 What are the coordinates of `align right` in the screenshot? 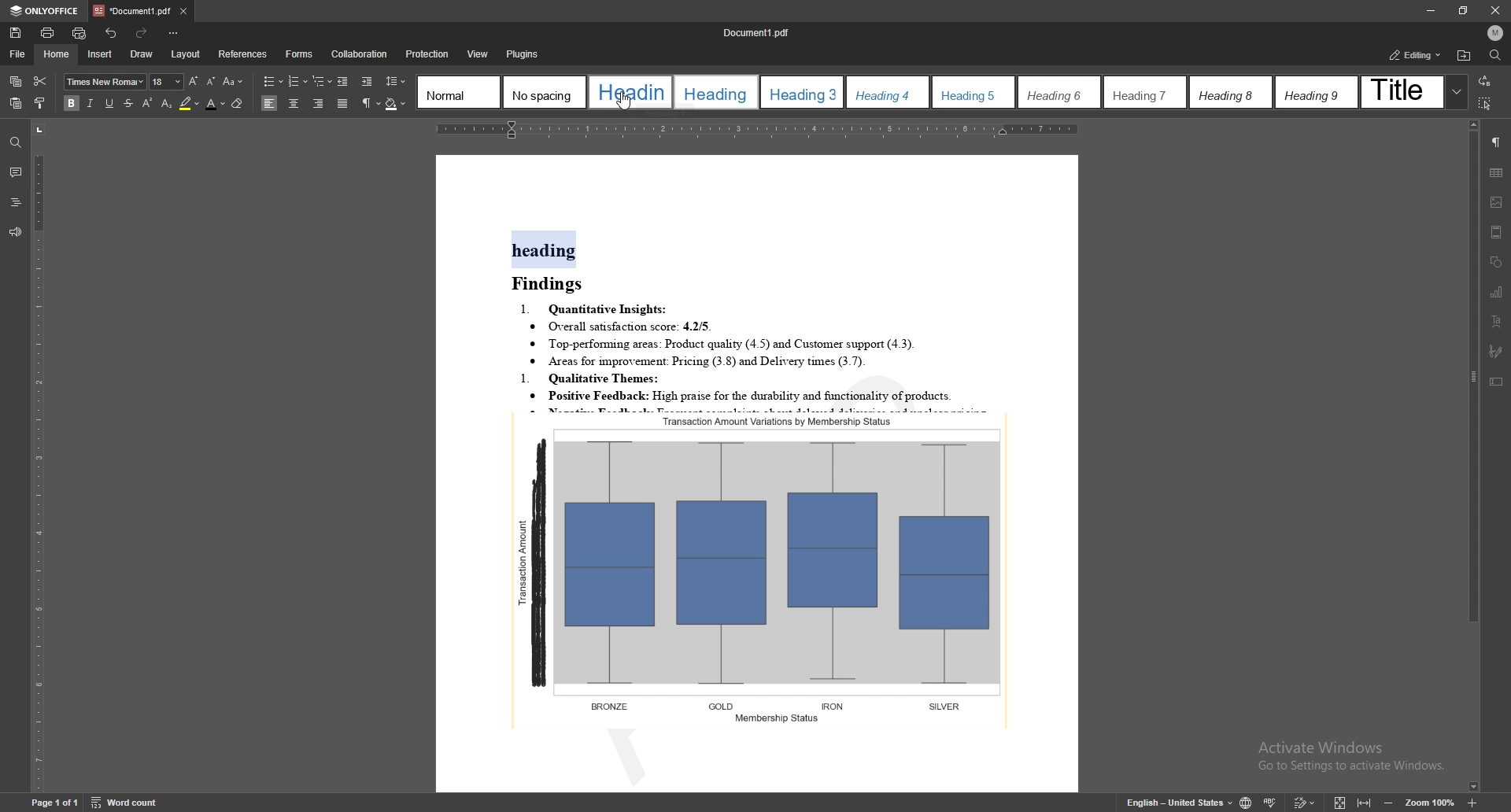 It's located at (320, 104).